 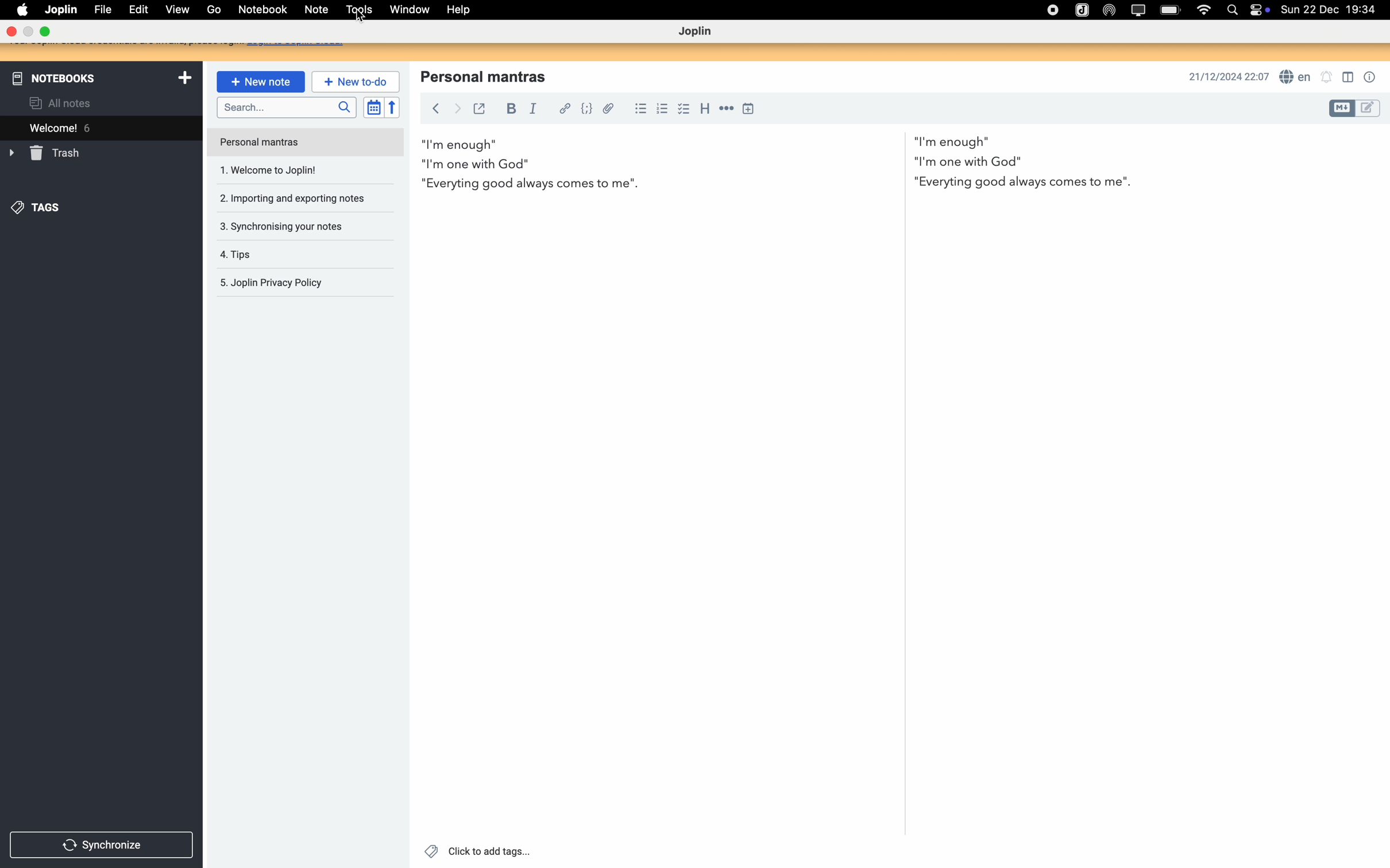 What do you see at coordinates (314, 10) in the screenshot?
I see `note` at bounding box center [314, 10].